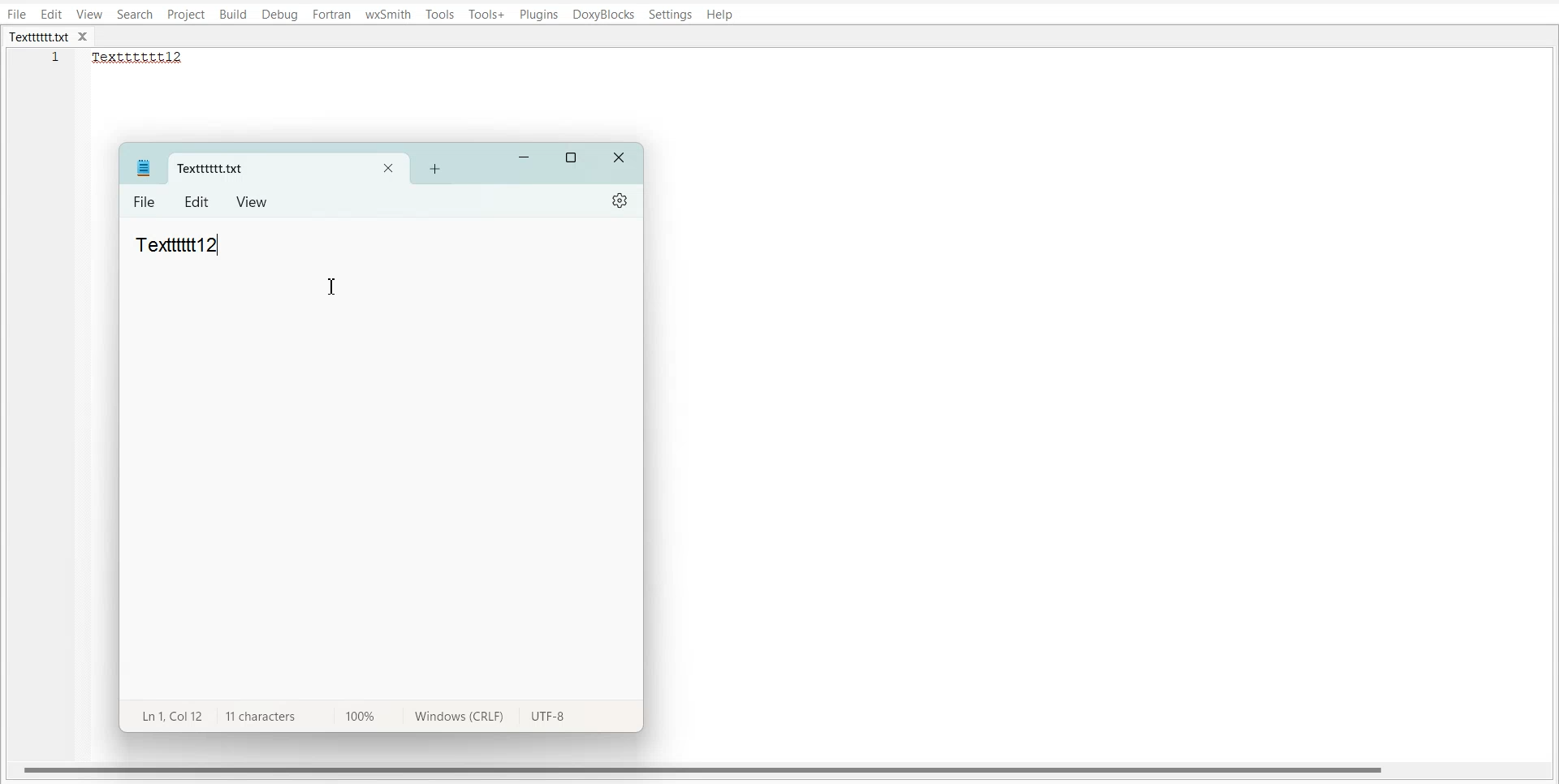 Image resolution: width=1559 pixels, height=784 pixels. What do you see at coordinates (356, 715) in the screenshot?
I see `100%` at bounding box center [356, 715].